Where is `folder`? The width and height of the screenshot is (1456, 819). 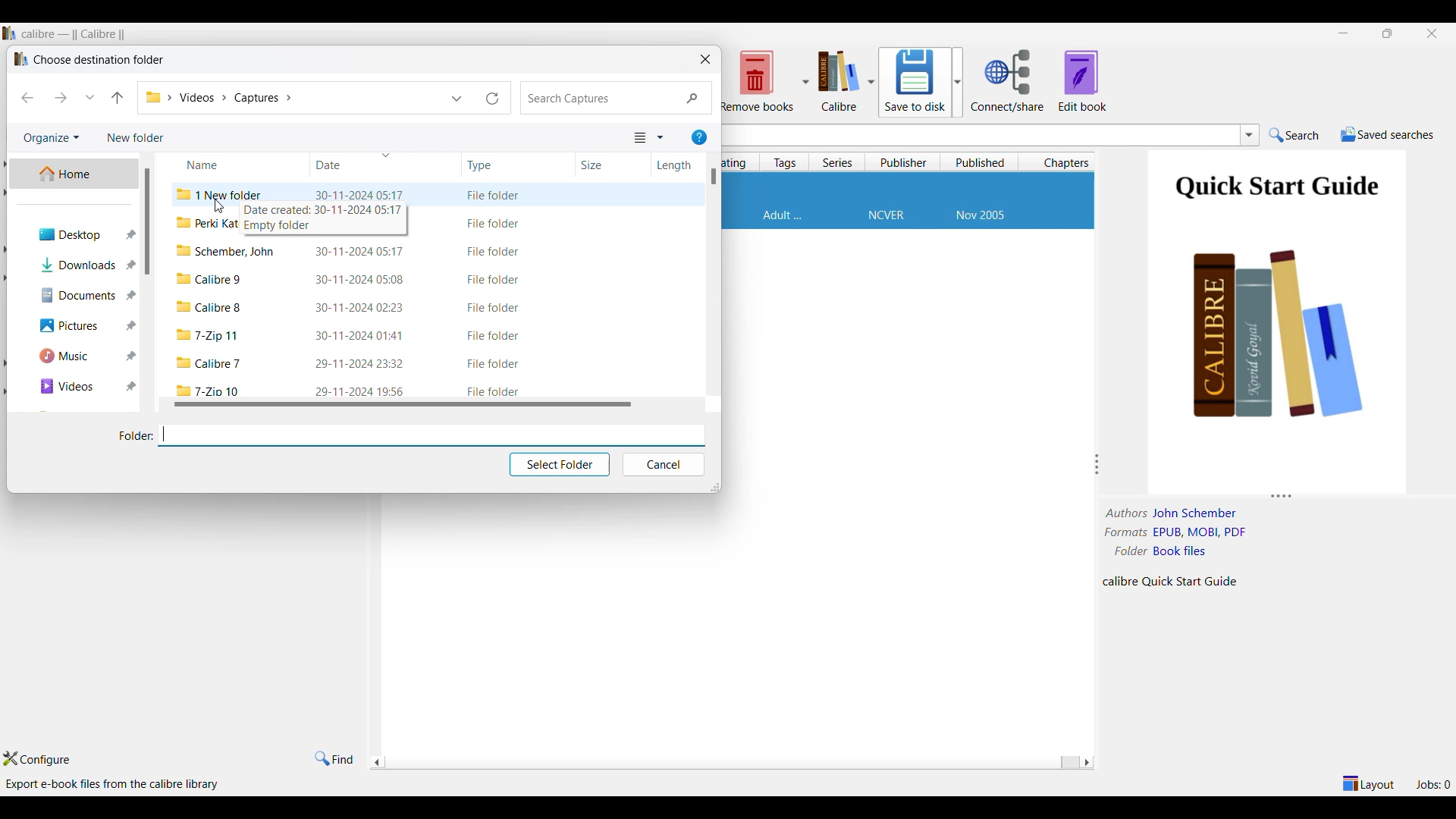 folder is located at coordinates (209, 307).